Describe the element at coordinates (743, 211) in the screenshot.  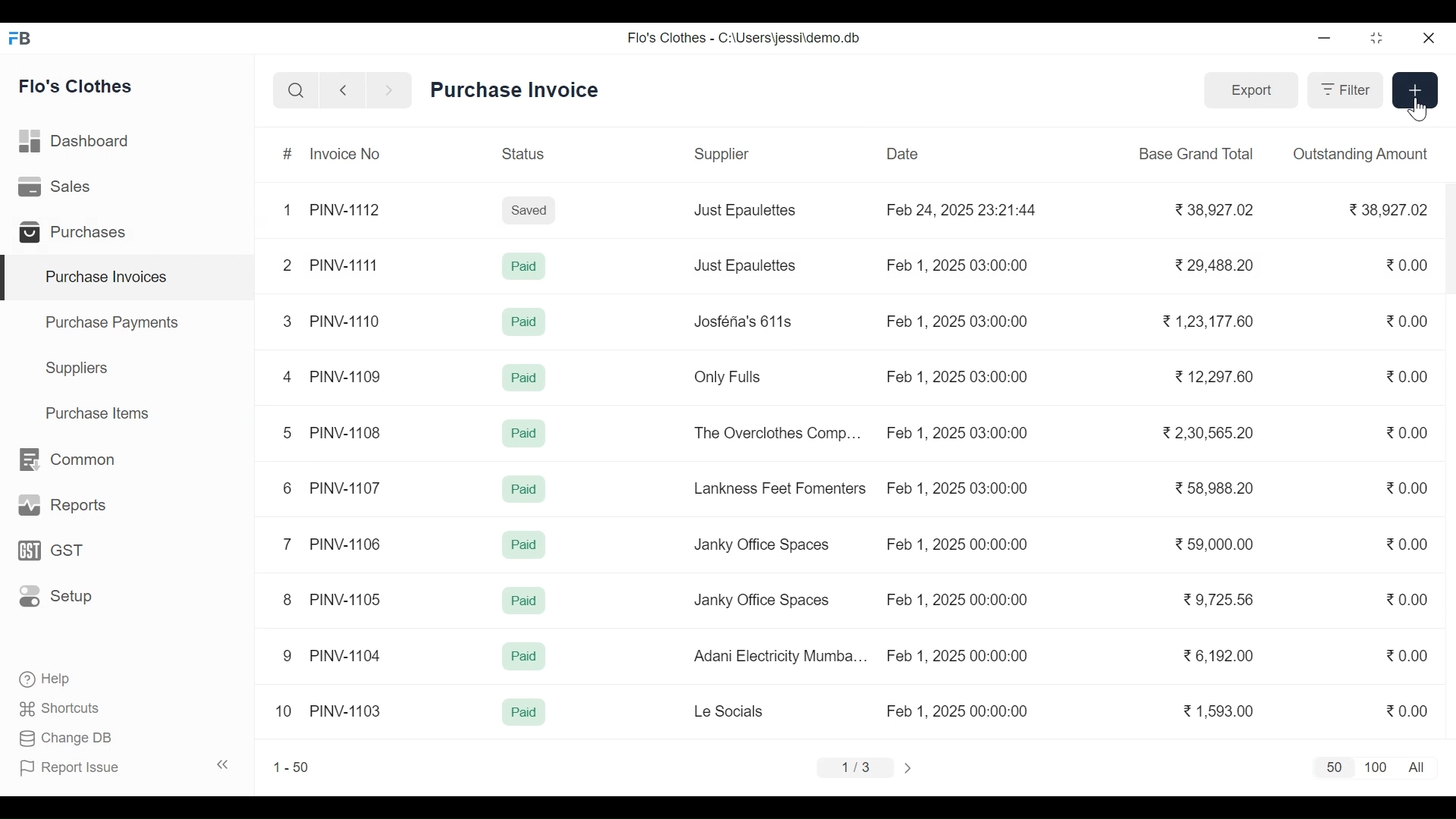
I see `Just Epaulettes` at that location.